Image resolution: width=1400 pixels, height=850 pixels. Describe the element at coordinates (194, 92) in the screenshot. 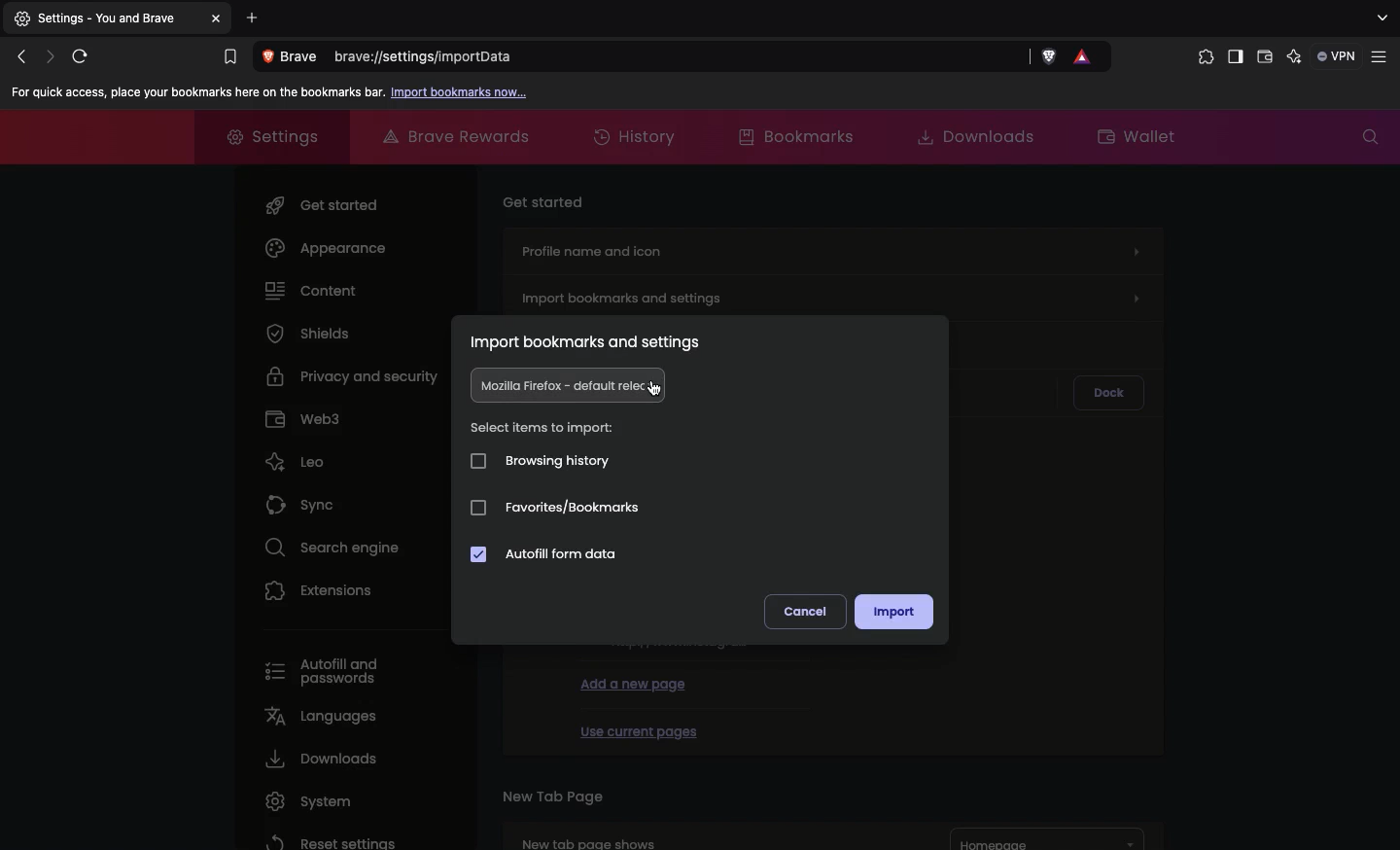

I see `For quick access, place your bookmarks here on the bookmarks bar.` at that location.